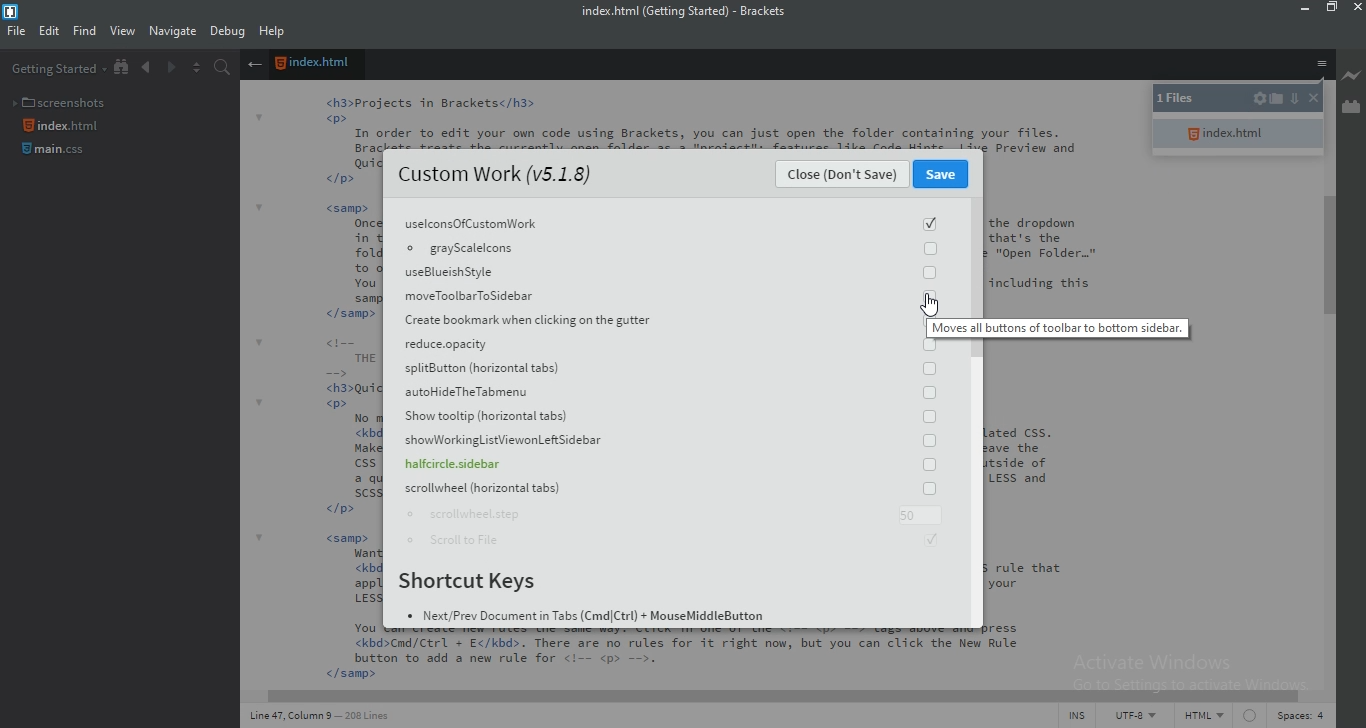 This screenshot has height=728, width=1366. I want to click on search, so click(224, 66).